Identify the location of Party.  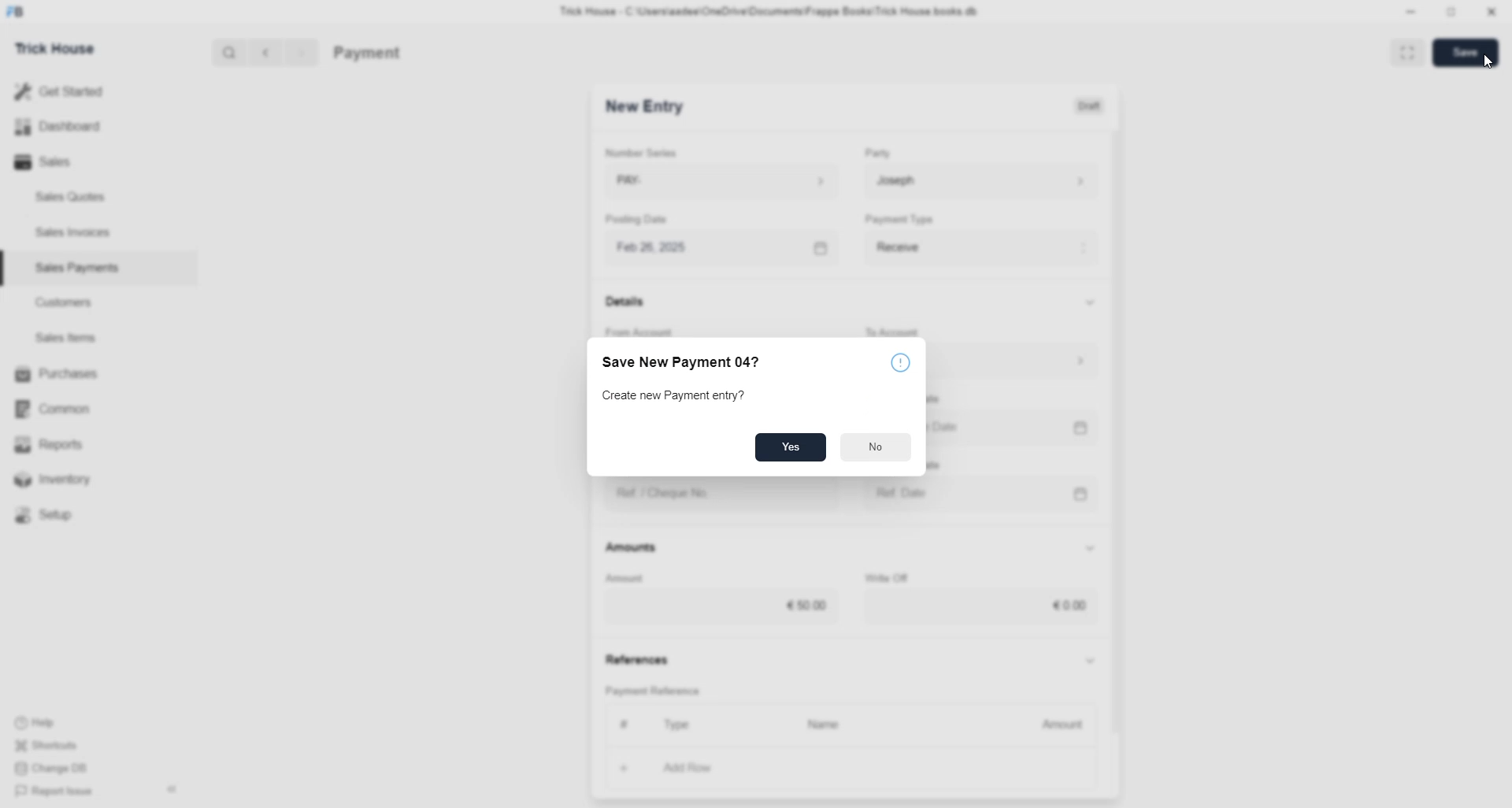
(878, 152).